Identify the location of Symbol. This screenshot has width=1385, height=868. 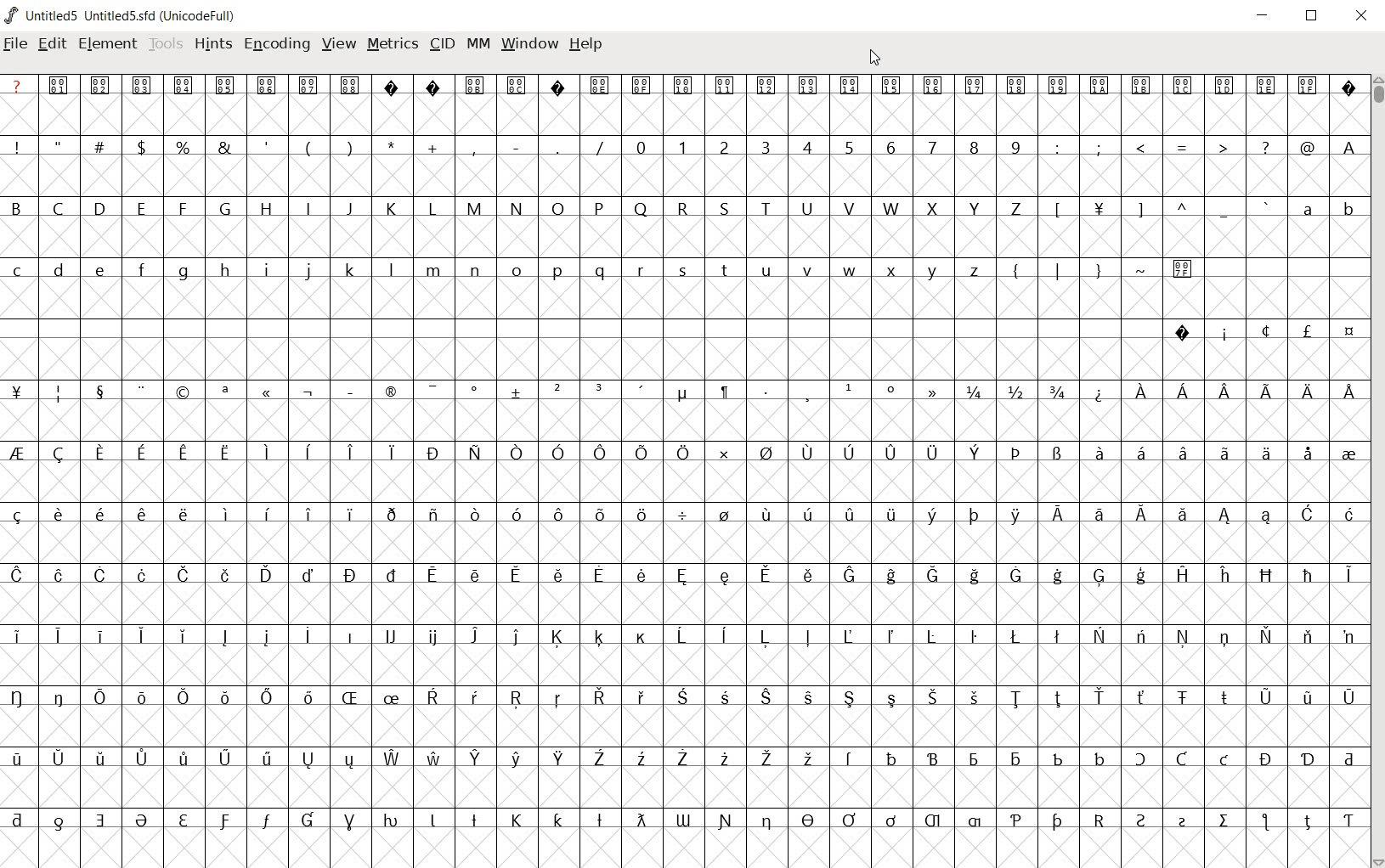
(308, 573).